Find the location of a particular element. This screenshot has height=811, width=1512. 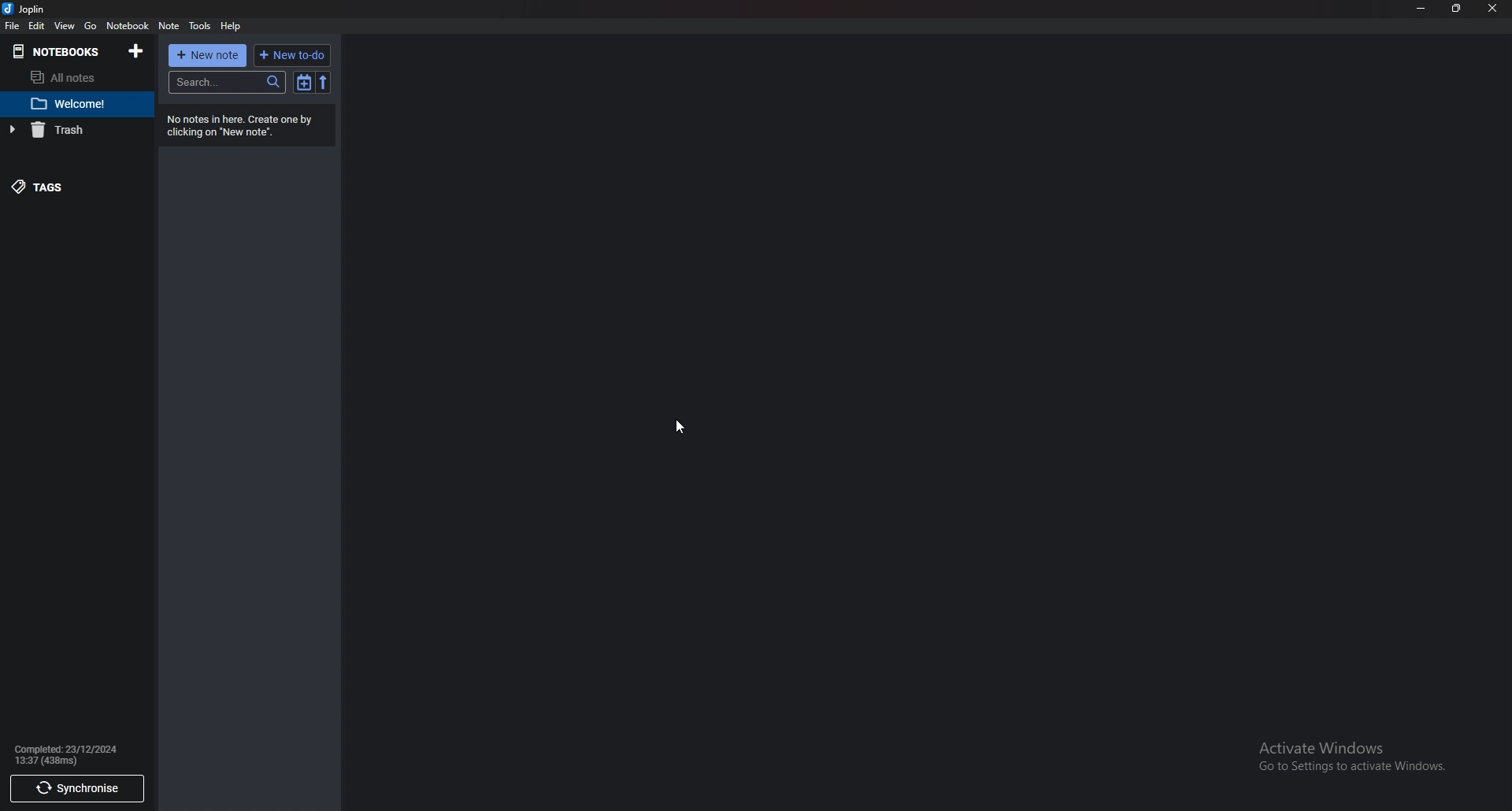

Synchronize is located at coordinates (77, 789).